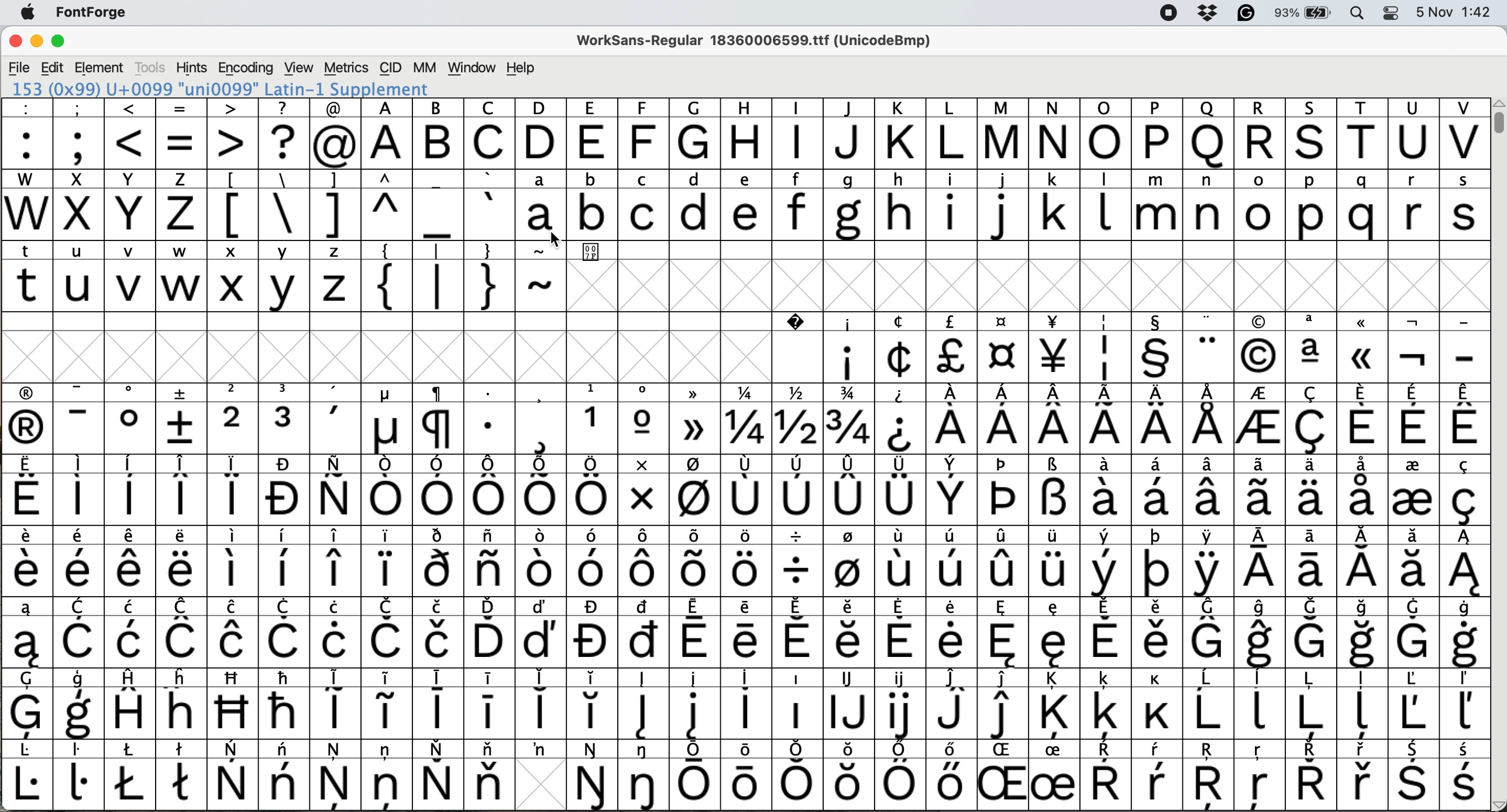  I want to click on symbol, so click(285, 490).